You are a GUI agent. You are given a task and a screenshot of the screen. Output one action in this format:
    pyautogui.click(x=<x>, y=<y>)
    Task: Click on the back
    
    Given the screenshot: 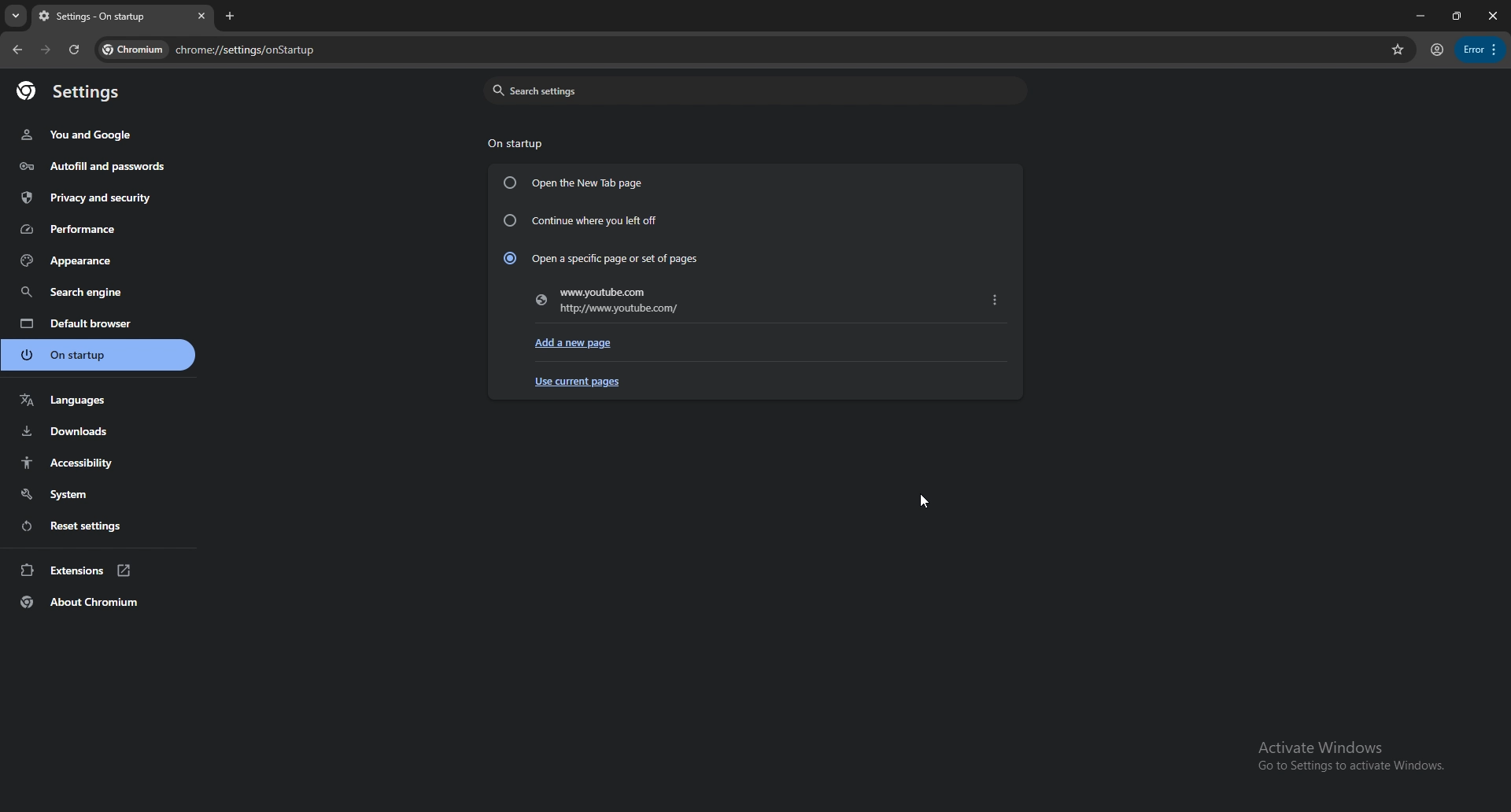 What is the action you would take?
    pyautogui.click(x=17, y=50)
    